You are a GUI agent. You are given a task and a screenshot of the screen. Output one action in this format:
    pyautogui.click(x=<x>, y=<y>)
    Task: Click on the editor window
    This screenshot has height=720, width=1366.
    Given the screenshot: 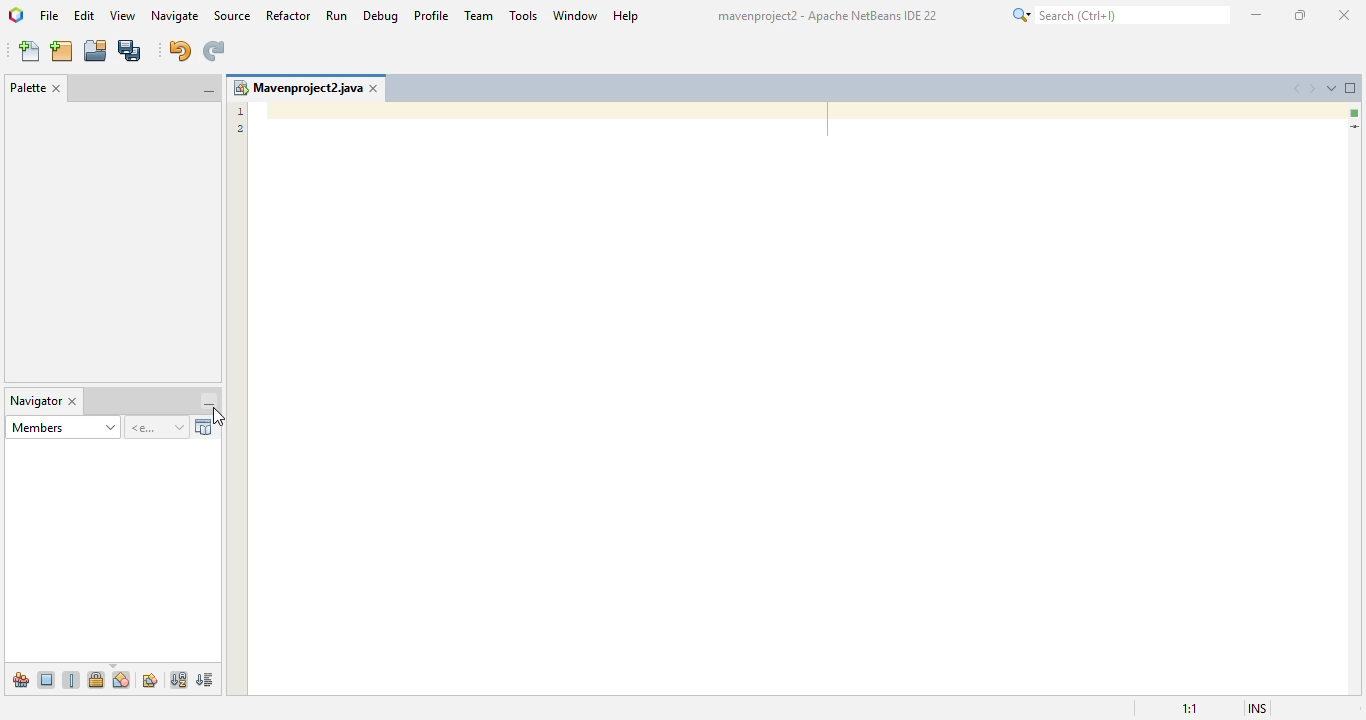 What is the action you would take?
    pyautogui.click(x=796, y=400)
    